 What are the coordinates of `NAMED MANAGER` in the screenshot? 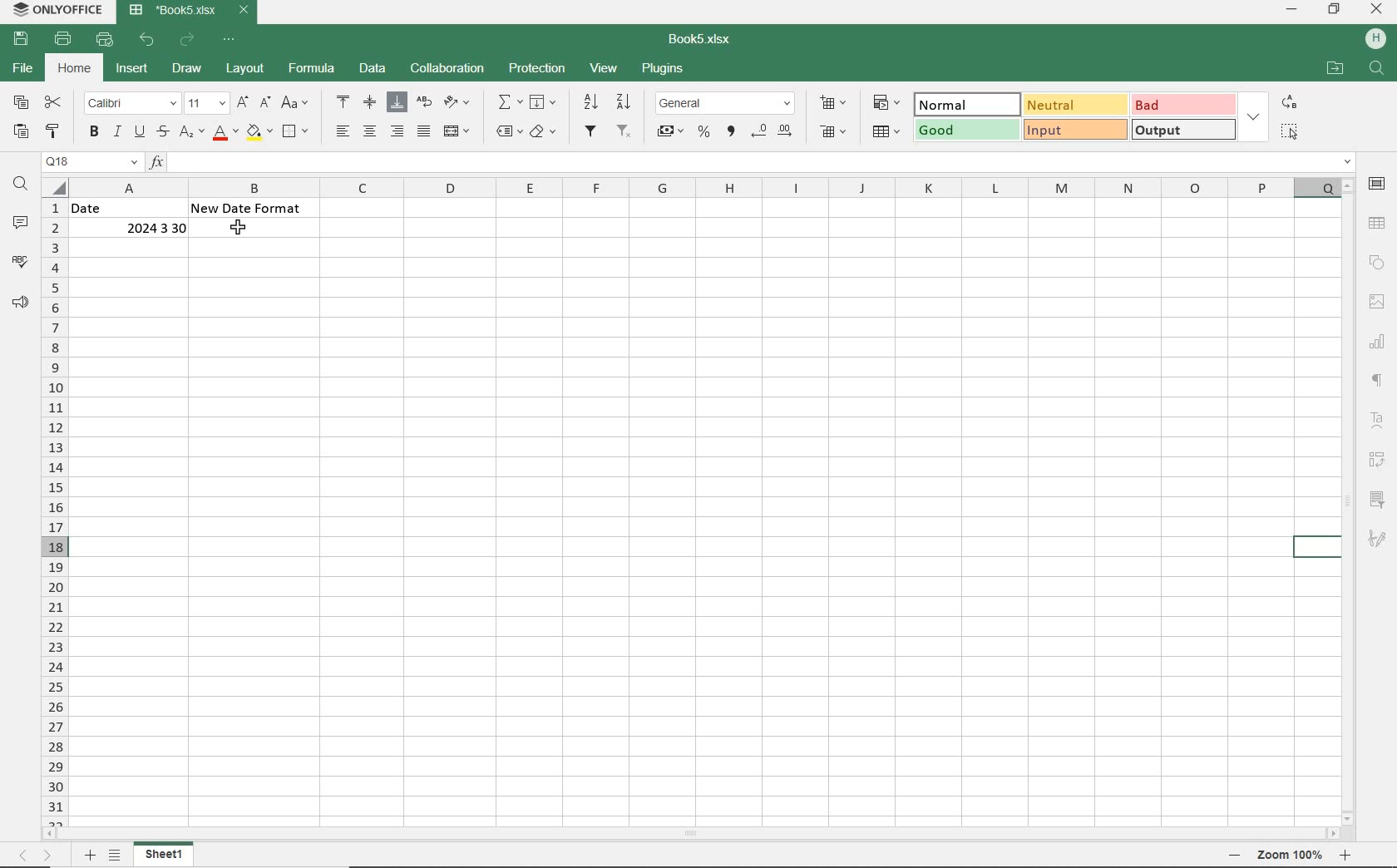 It's located at (90, 162).